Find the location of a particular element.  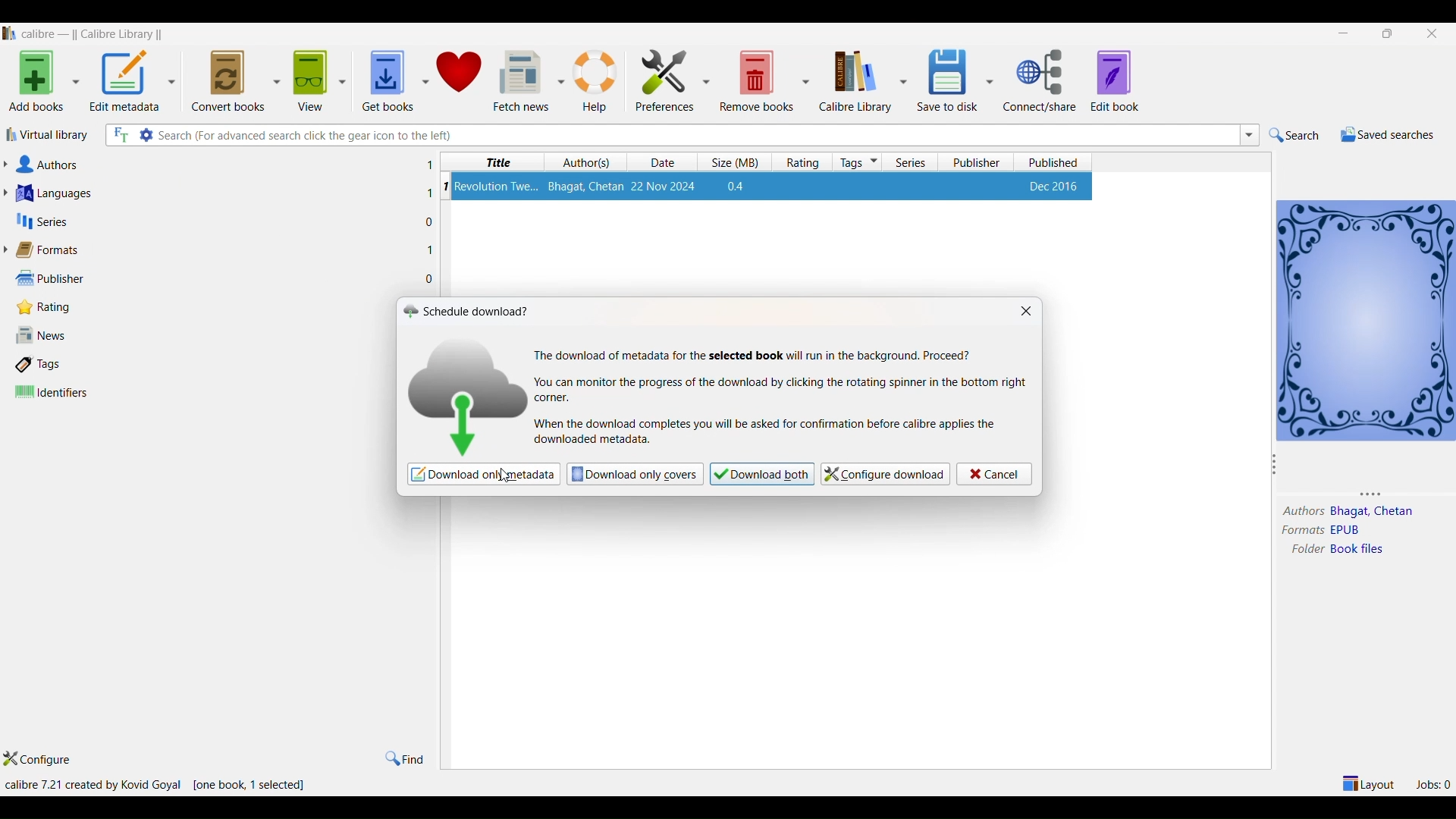

formats is located at coordinates (52, 249).